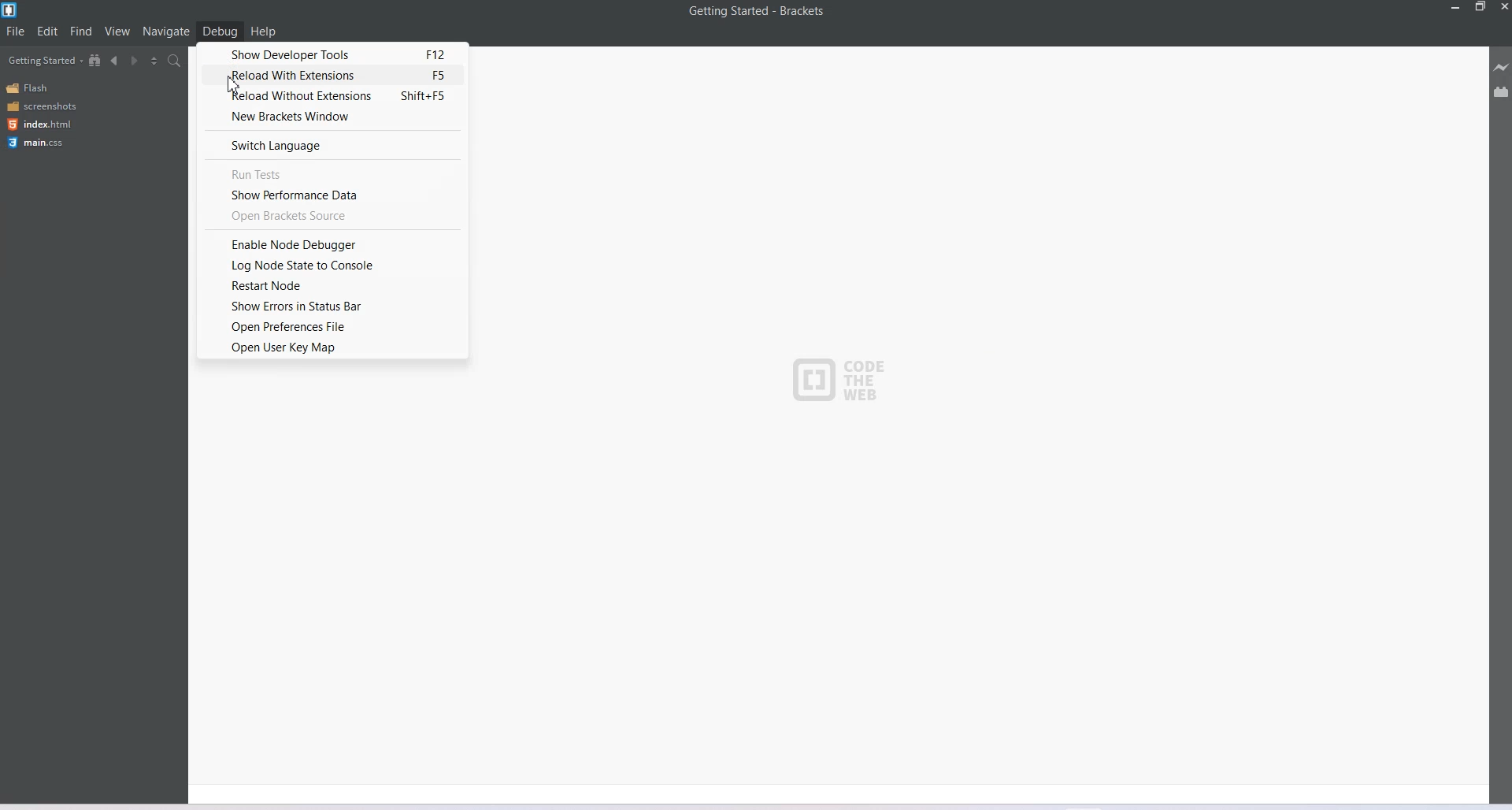  What do you see at coordinates (328, 287) in the screenshot?
I see `Restart node` at bounding box center [328, 287].